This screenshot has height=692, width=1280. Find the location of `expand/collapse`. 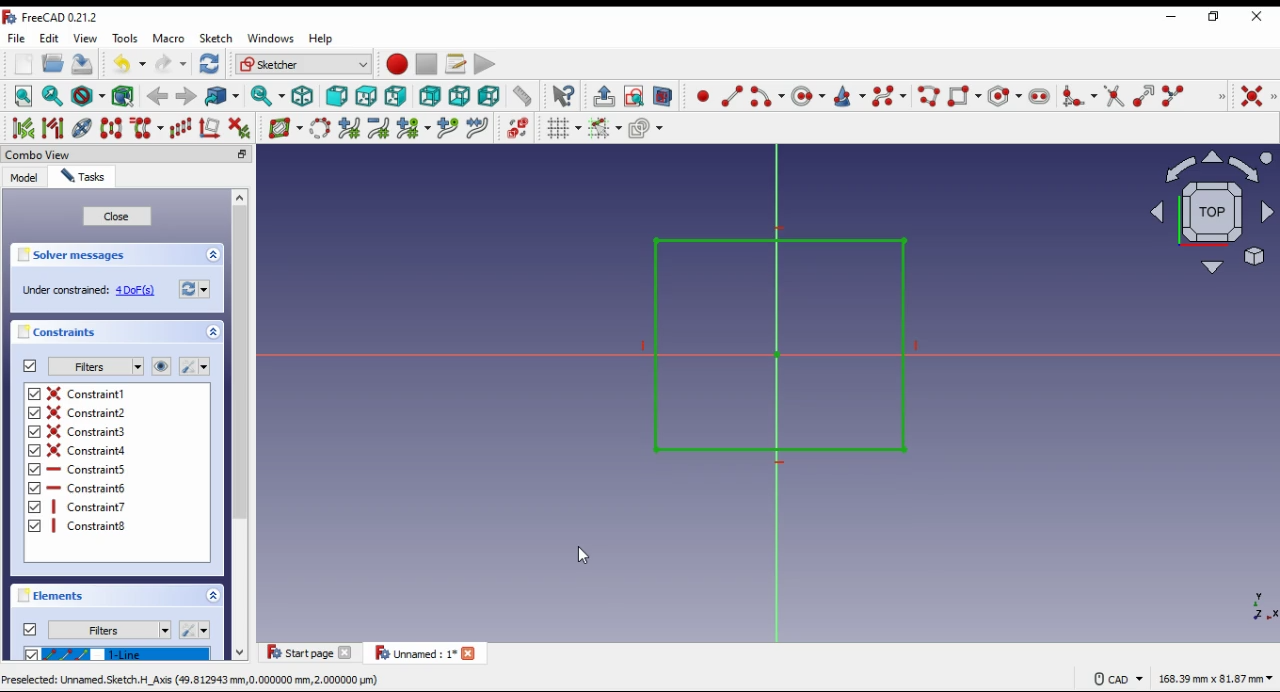

expand/collapse is located at coordinates (214, 332).